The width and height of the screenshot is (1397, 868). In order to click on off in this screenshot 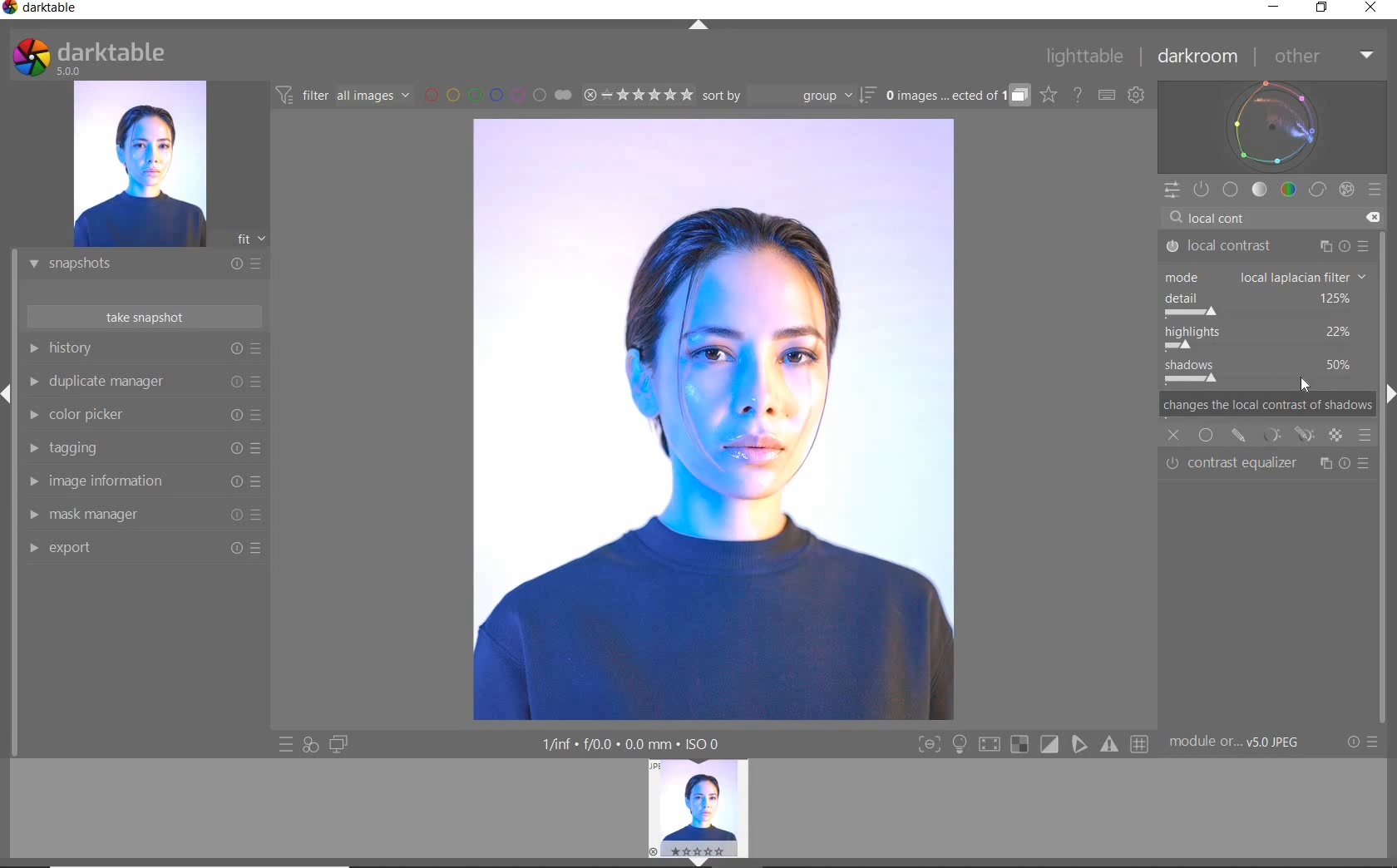, I will do `click(1174, 433)`.